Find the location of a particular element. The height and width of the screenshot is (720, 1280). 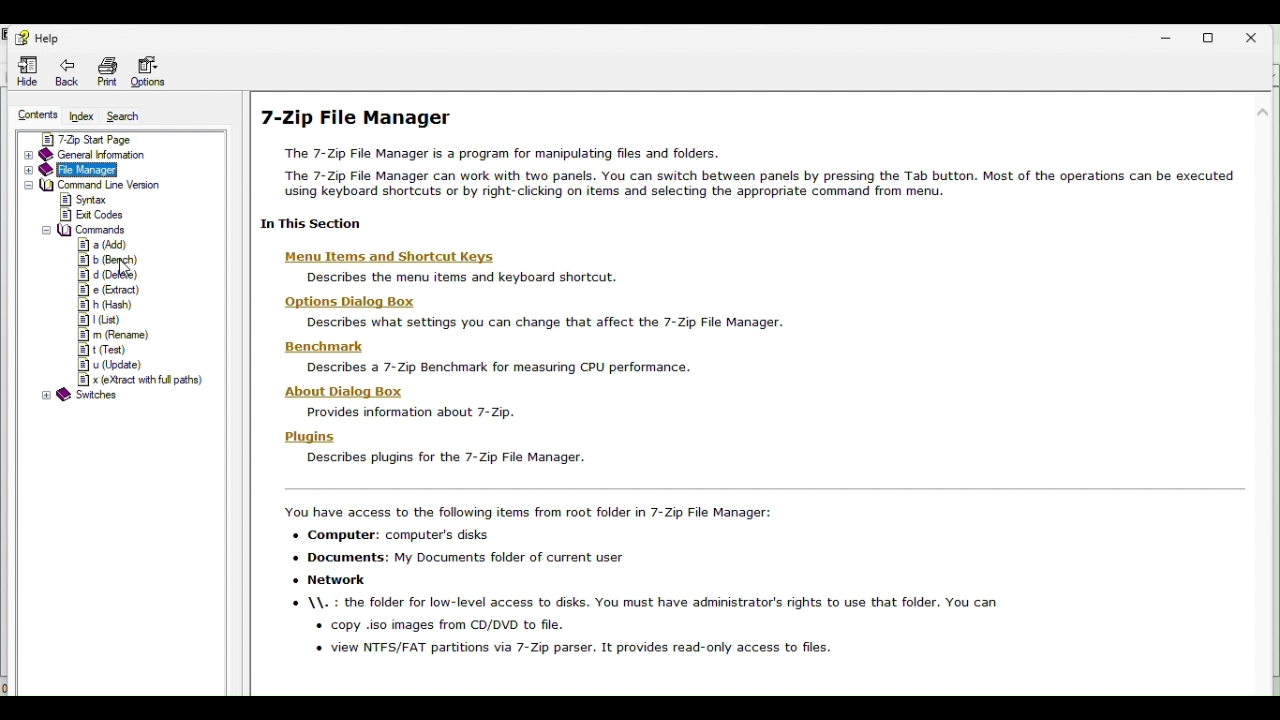

Back is located at coordinates (65, 73).